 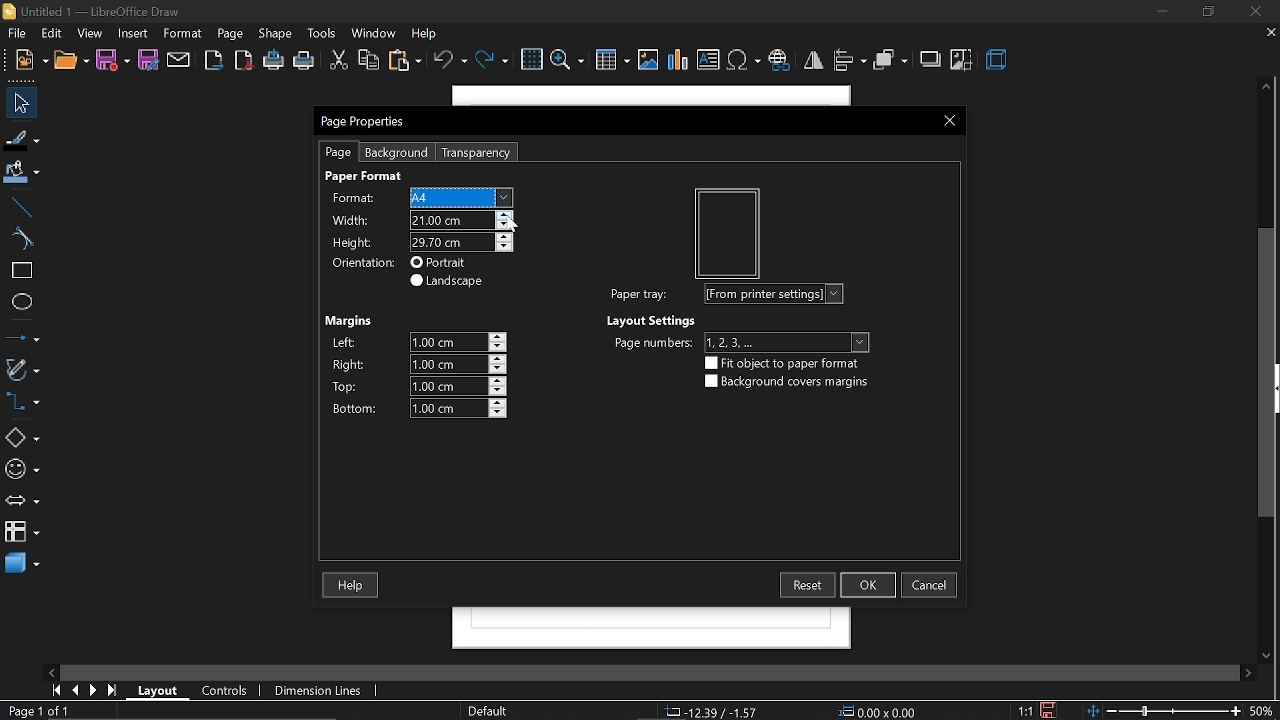 I want to click on layout, so click(x=160, y=690).